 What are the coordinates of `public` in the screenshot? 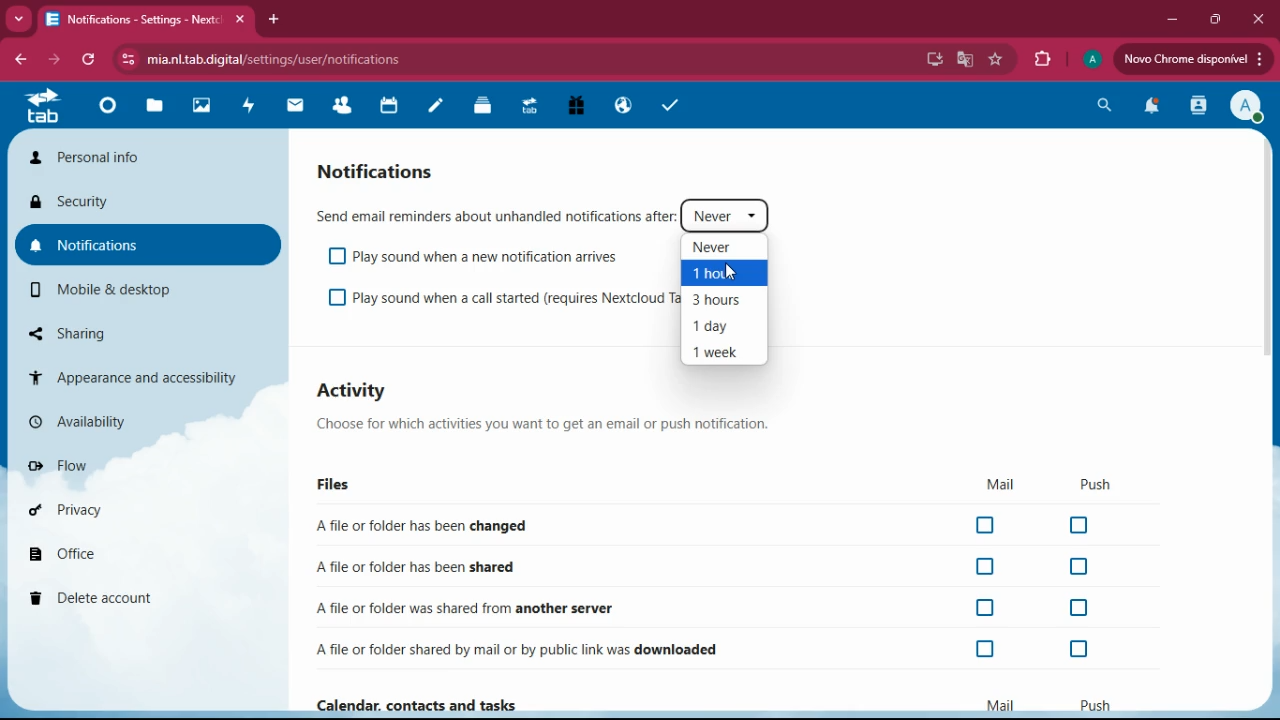 It's located at (624, 106).